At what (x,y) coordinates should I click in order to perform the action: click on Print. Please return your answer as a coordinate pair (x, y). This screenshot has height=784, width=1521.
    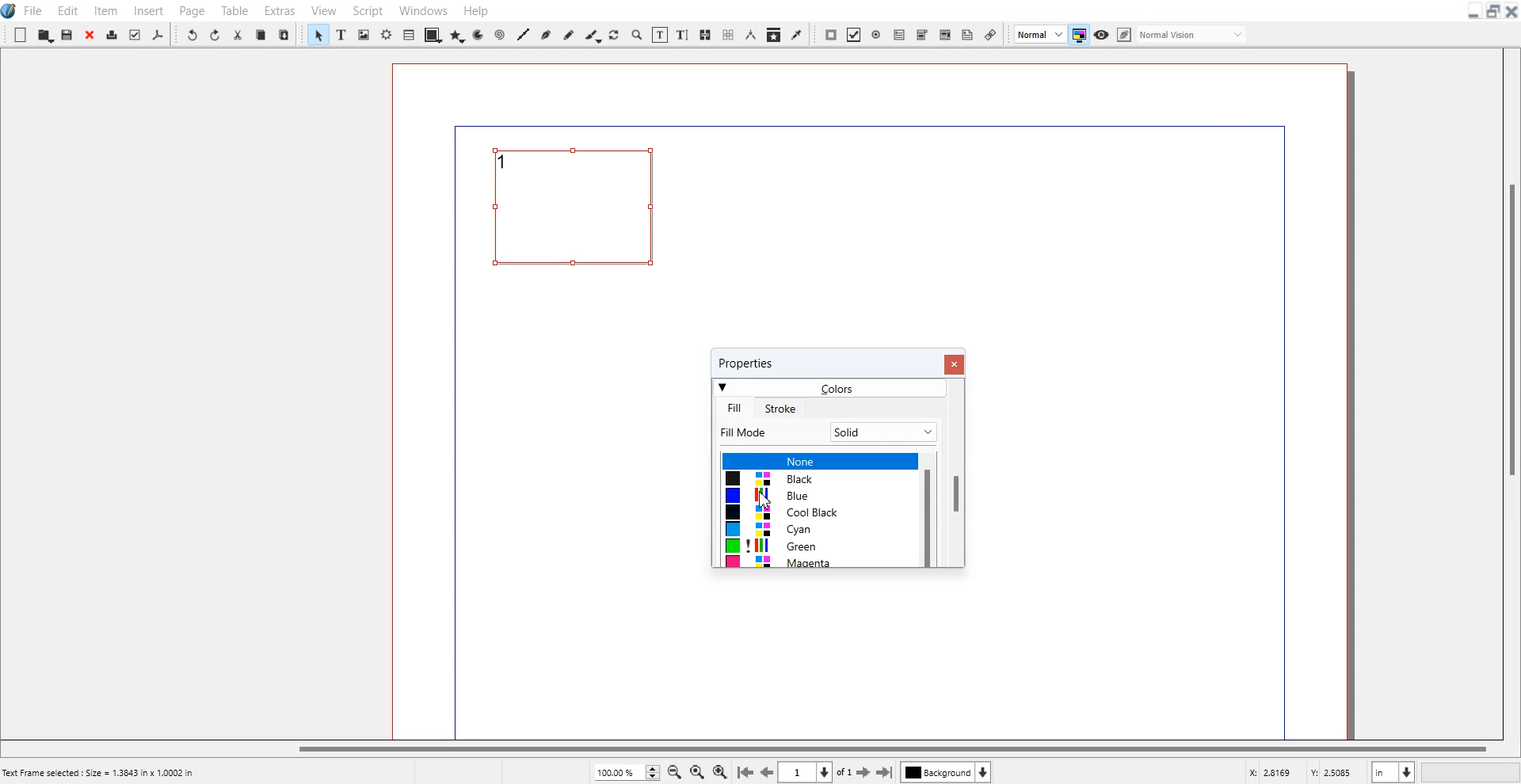
    Looking at the image, I should click on (113, 34).